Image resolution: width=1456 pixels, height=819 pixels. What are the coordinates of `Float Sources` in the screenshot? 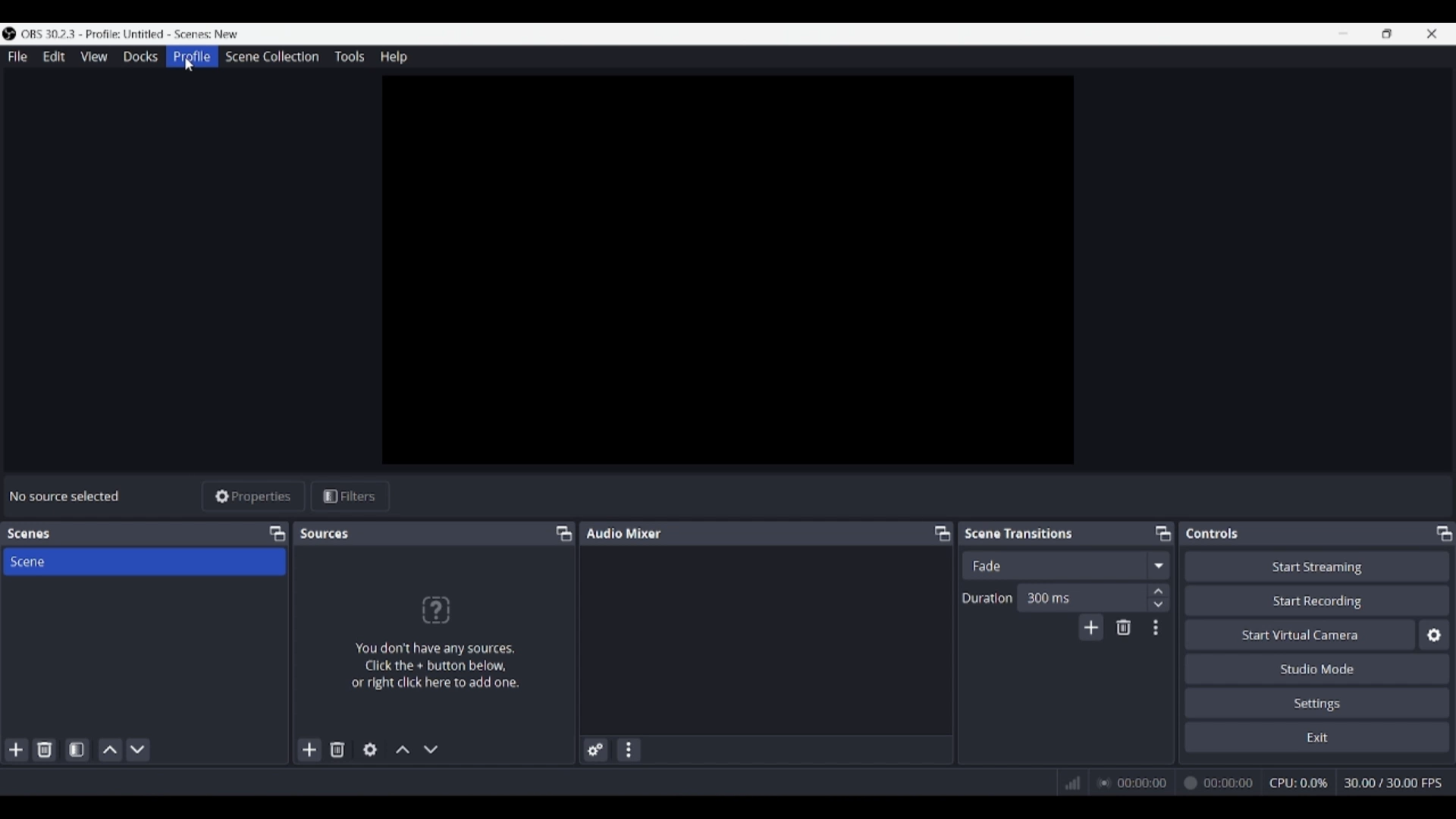 It's located at (564, 533).